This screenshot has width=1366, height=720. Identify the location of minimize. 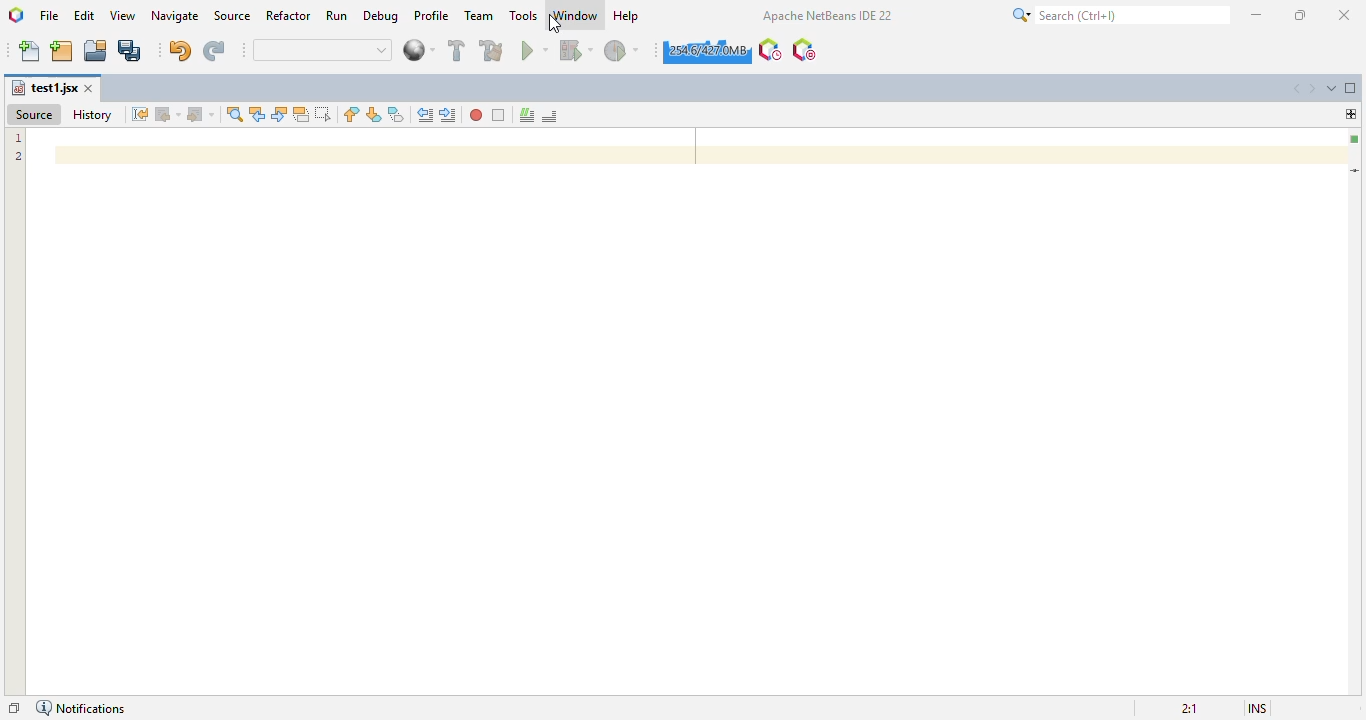
(1257, 15).